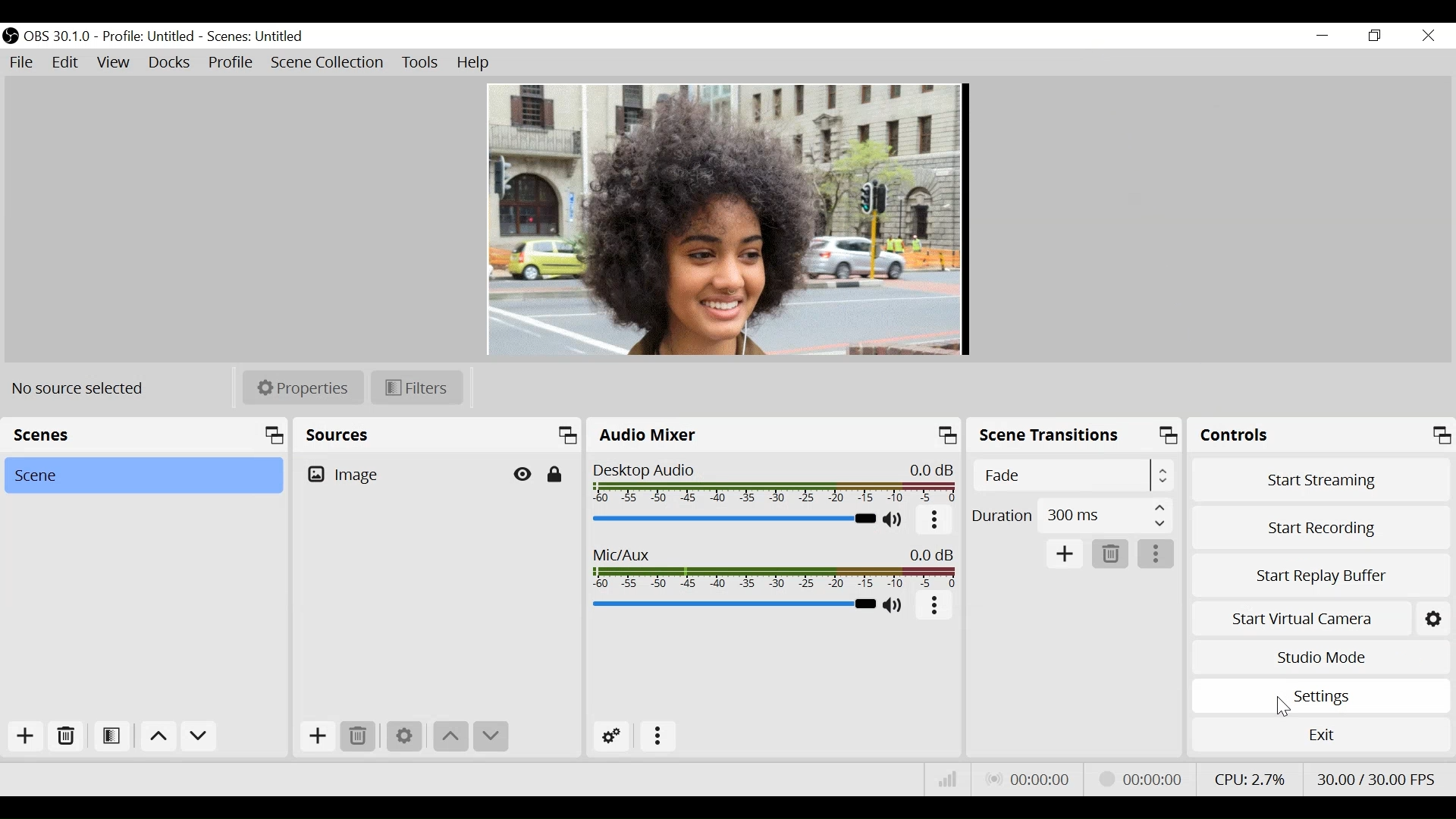 The height and width of the screenshot is (819, 1456). What do you see at coordinates (417, 388) in the screenshot?
I see `Filters` at bounding box center [417, 388].